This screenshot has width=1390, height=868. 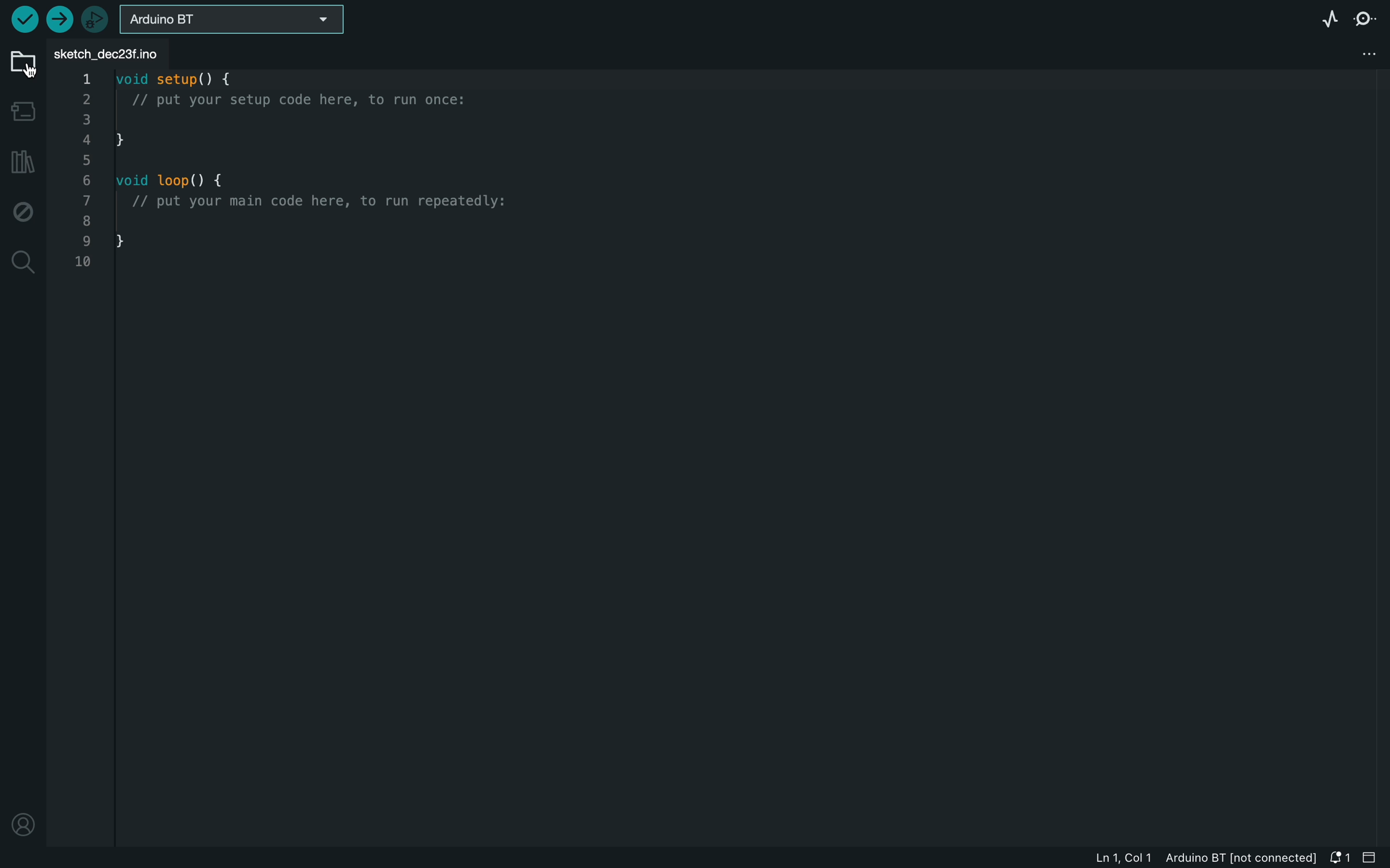 What do you see at coordinates (235, 21) in the screenshot?
I see `board selecter` at bounding box center [235, 21].